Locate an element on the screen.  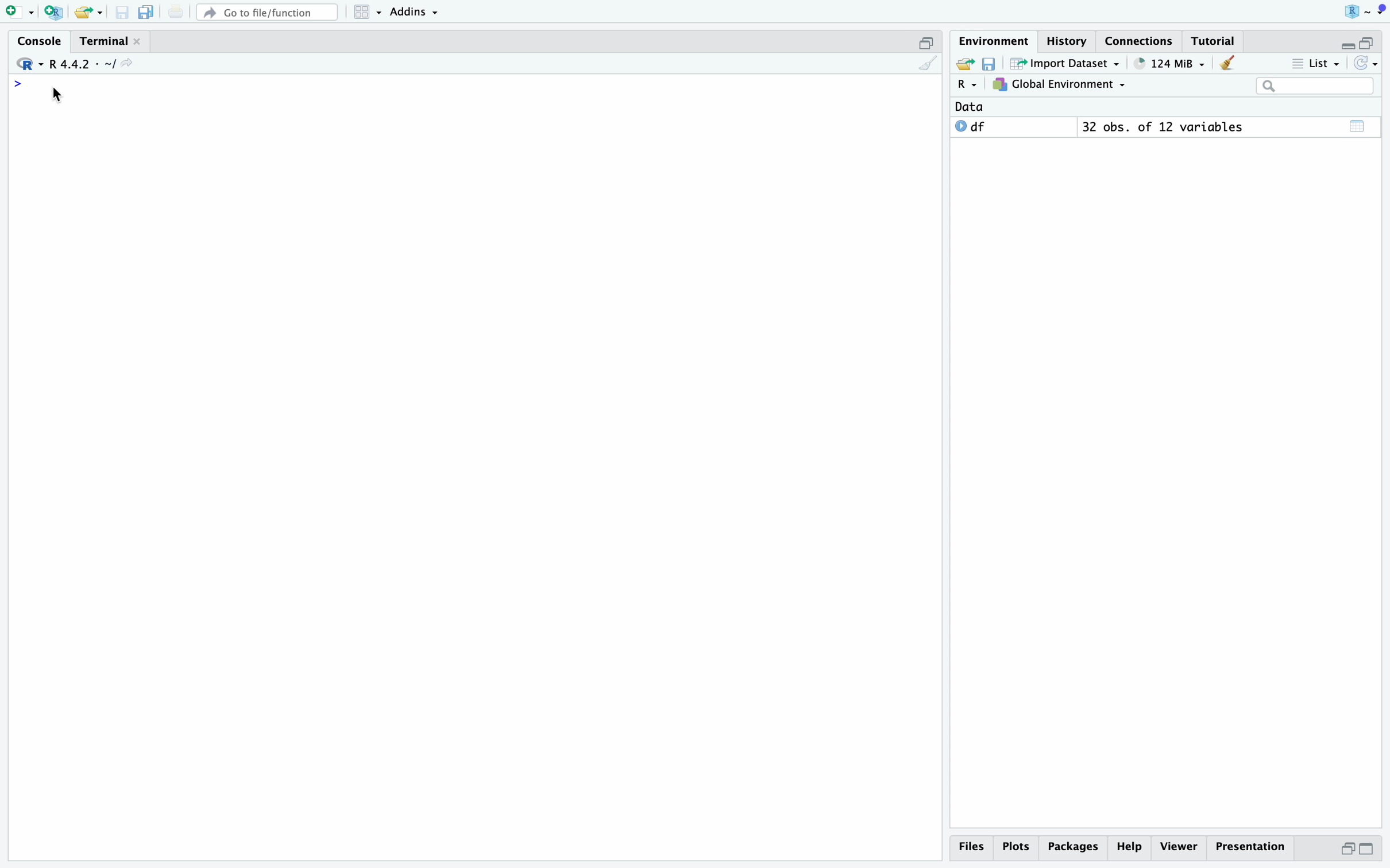
share icon is located at coordinates (127, 63).